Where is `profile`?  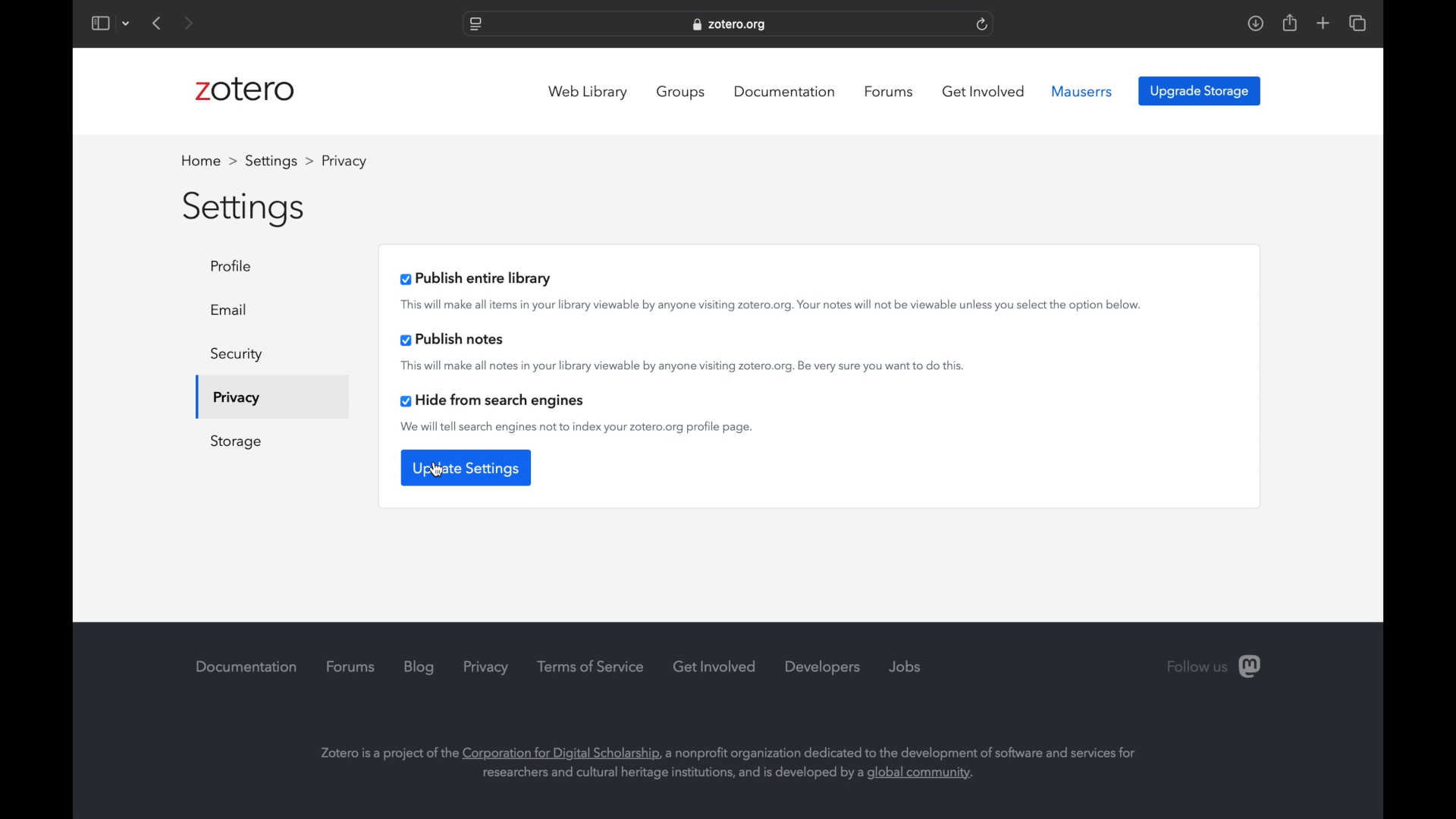 profile is located at coordinates (236, 265).